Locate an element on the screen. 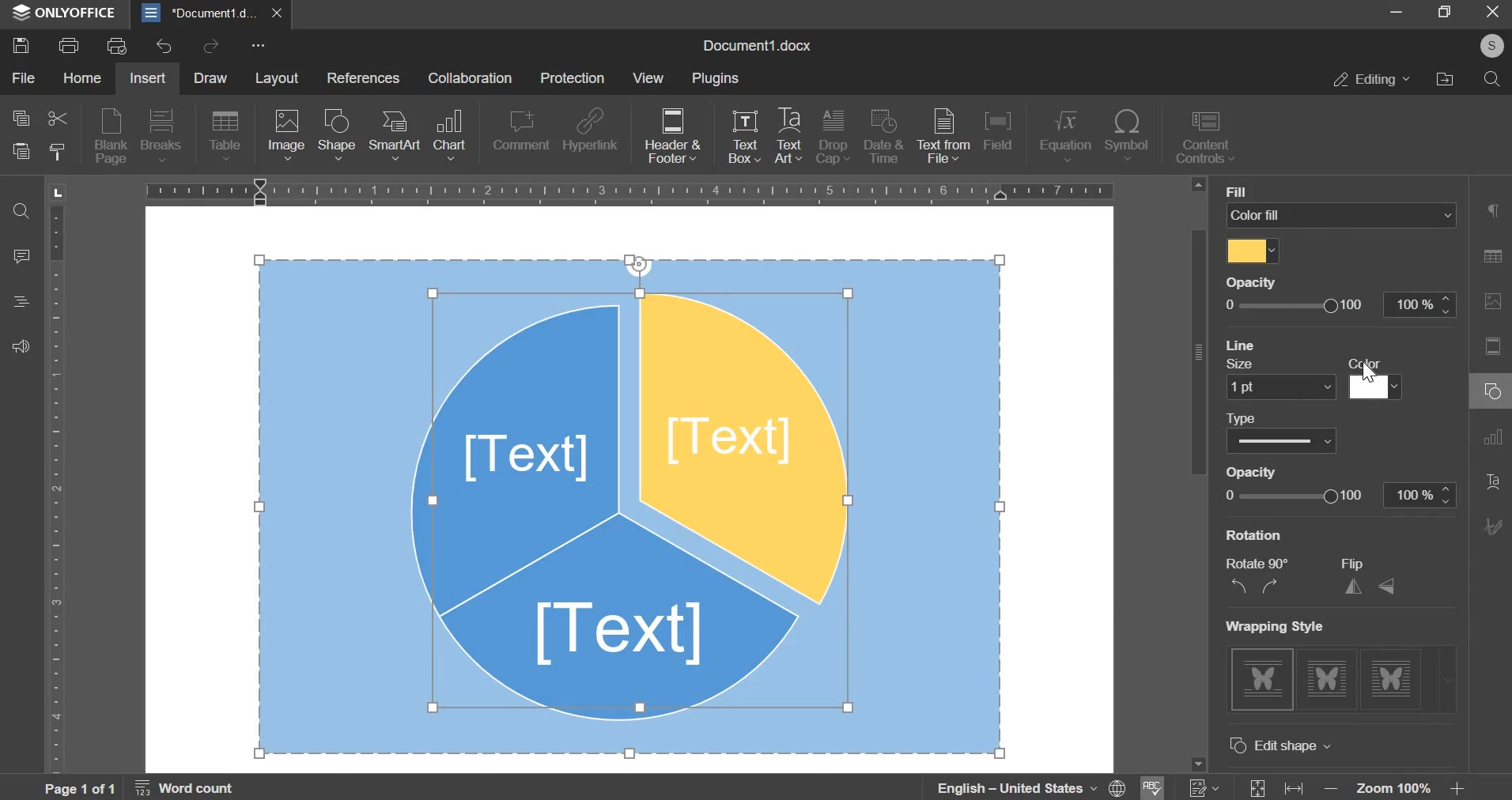 The height and width of the screenshot is (800, 1512).  is located at coordinates (1493, 48).